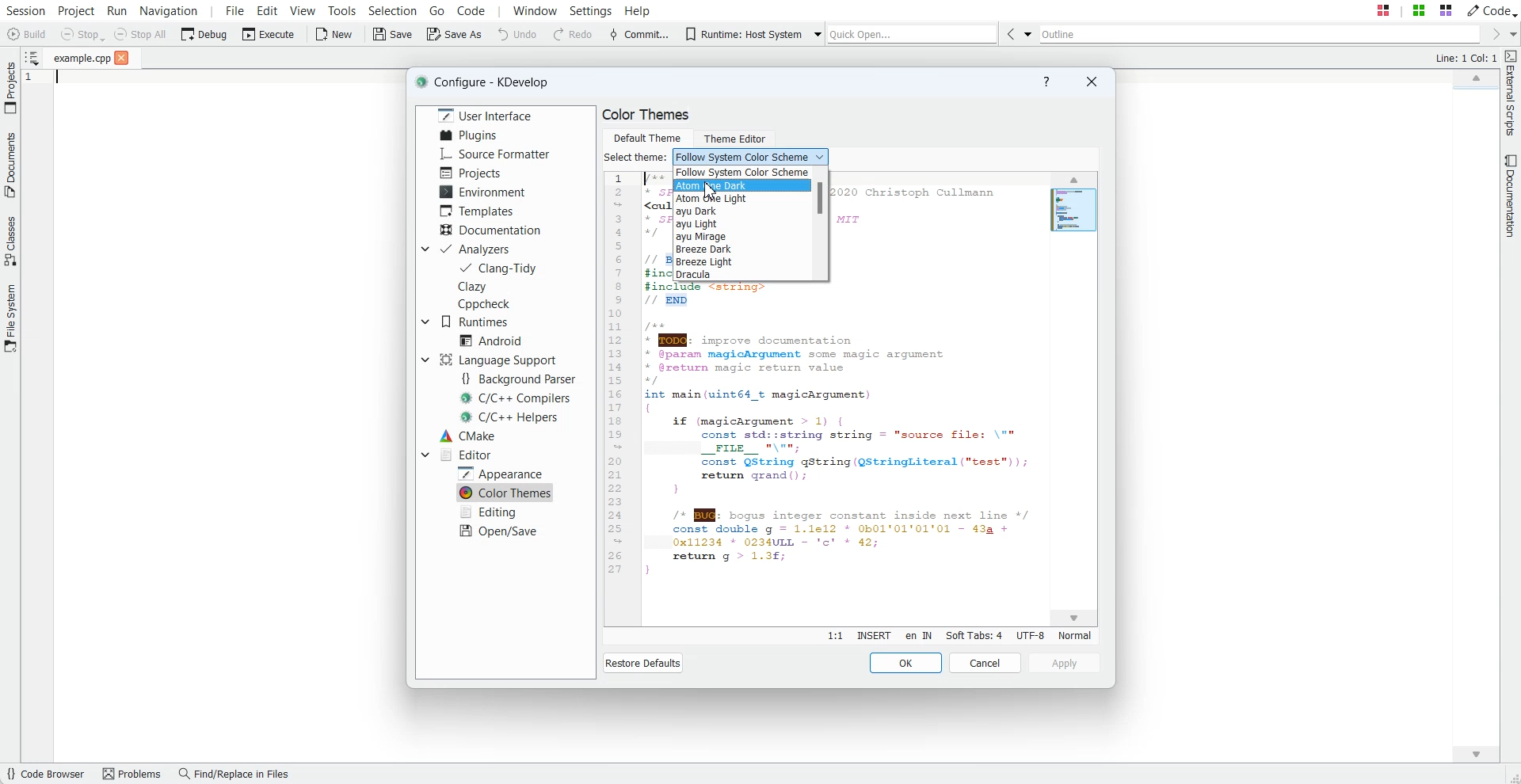 This screenshot has width=1521, height=784. I want to click on Android, so click(491, 340).